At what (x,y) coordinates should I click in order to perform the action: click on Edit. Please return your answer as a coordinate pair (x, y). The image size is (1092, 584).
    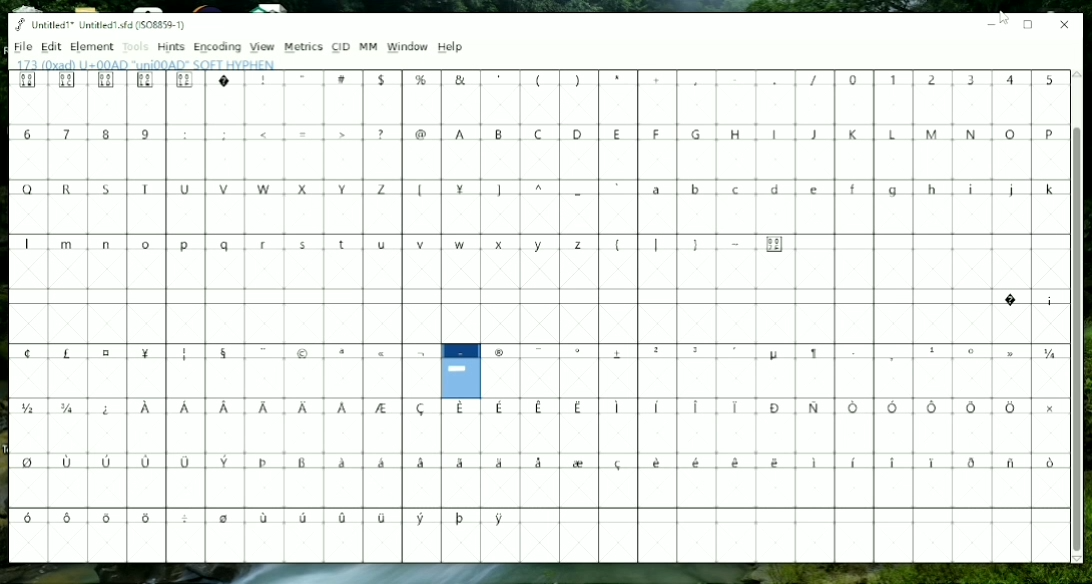
    Looking at the image, I should click on (51, 47).